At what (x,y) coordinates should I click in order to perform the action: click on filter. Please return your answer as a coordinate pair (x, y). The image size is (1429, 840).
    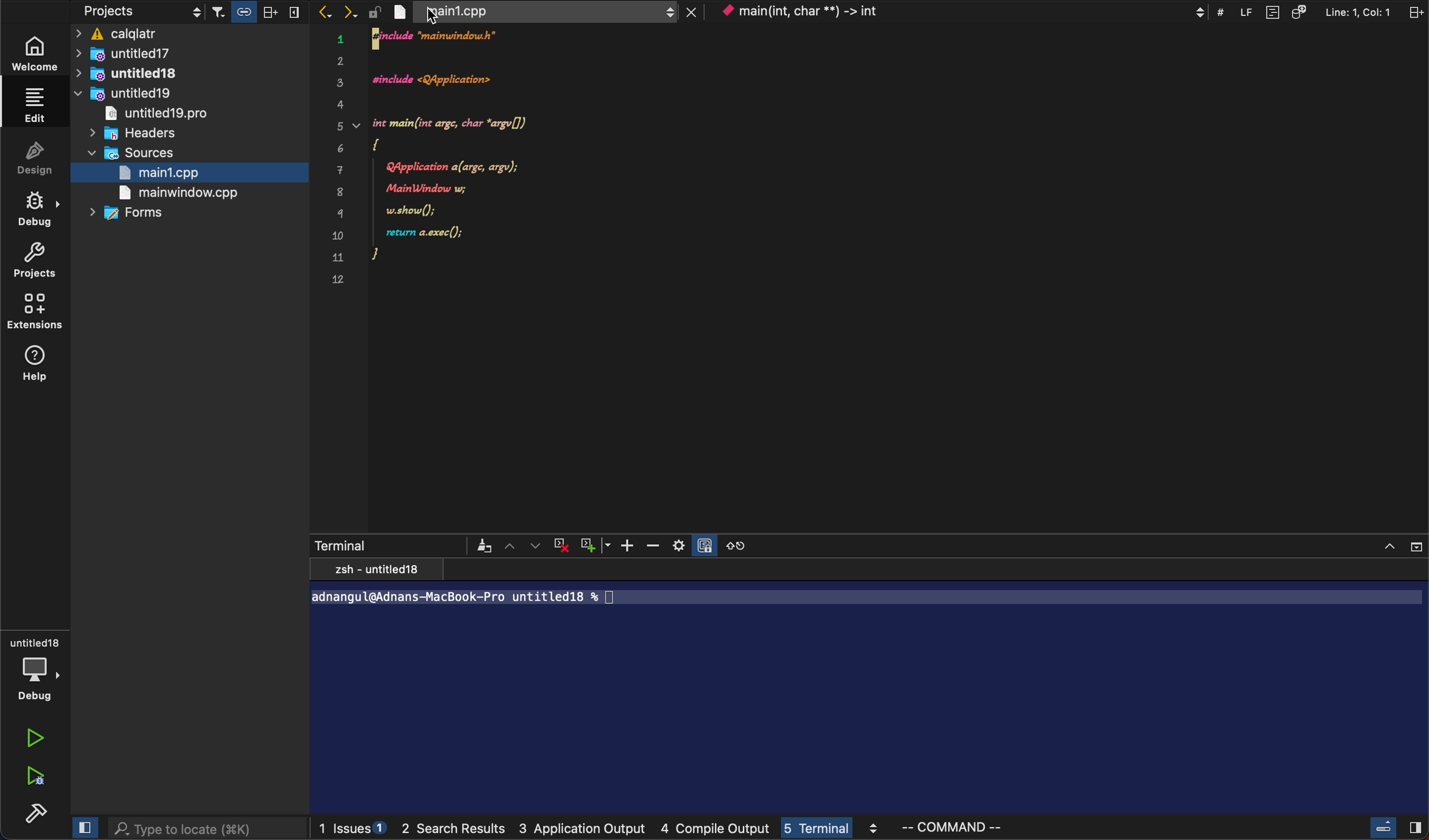
    Looking at the image, I should click on (484, 545).